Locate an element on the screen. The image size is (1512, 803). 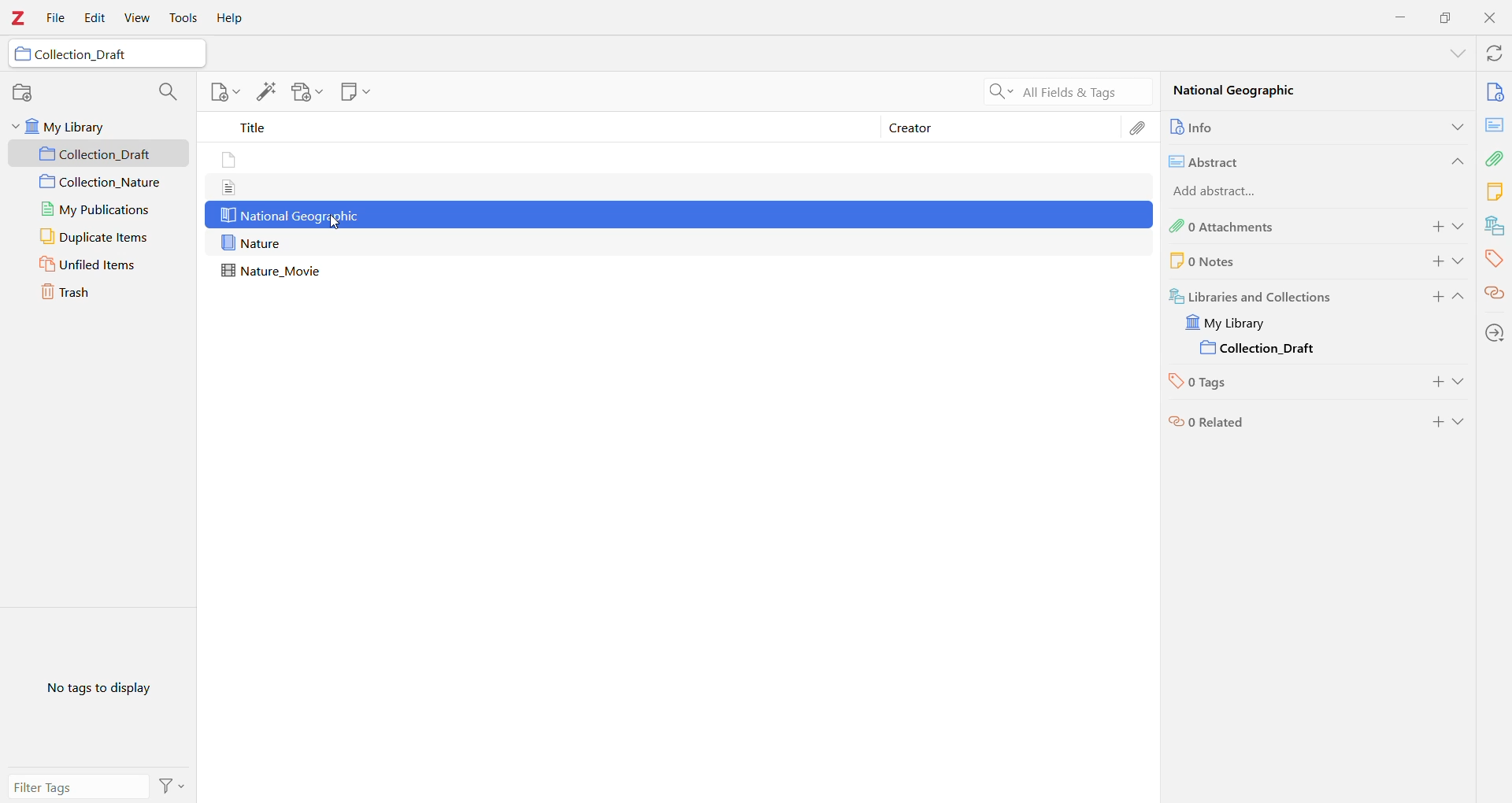
No tags to display is located at coordinates (97, 687).